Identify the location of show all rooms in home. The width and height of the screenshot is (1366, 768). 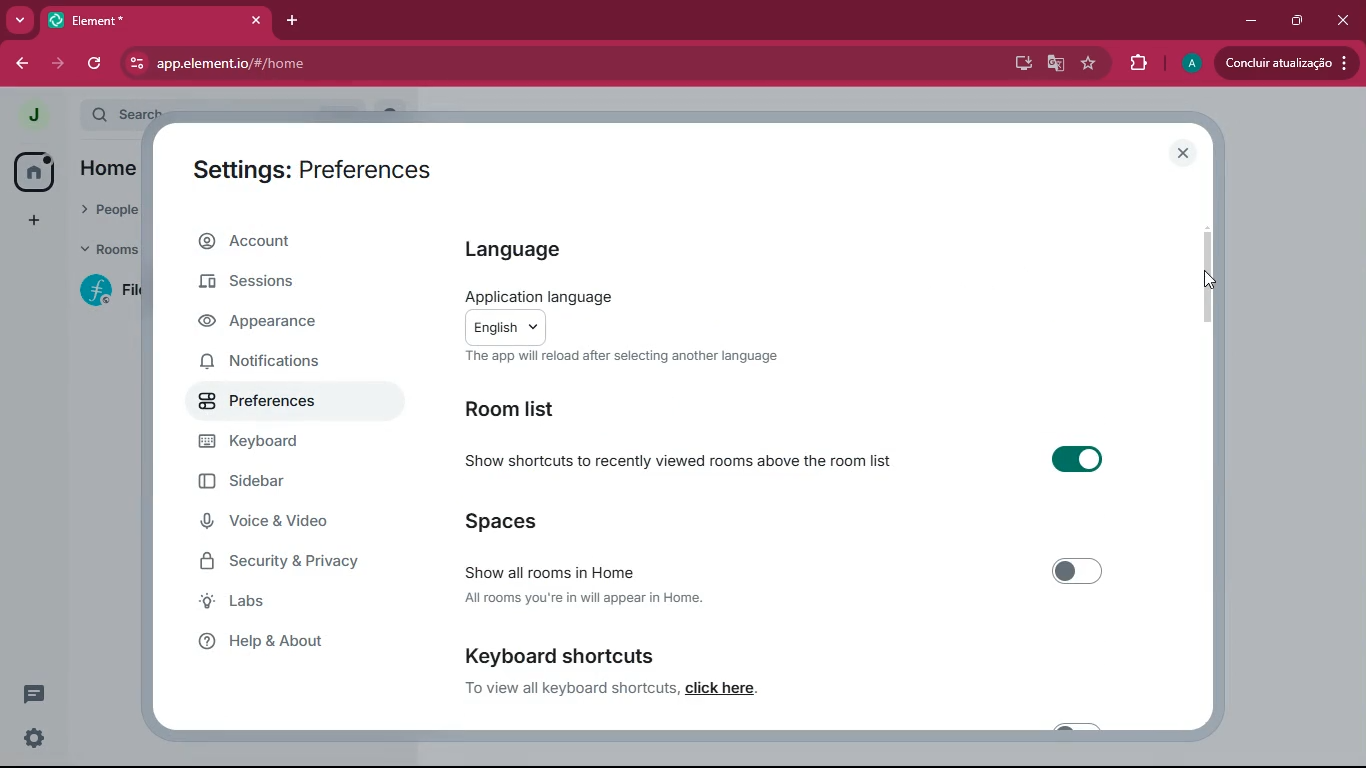
(550, 570).